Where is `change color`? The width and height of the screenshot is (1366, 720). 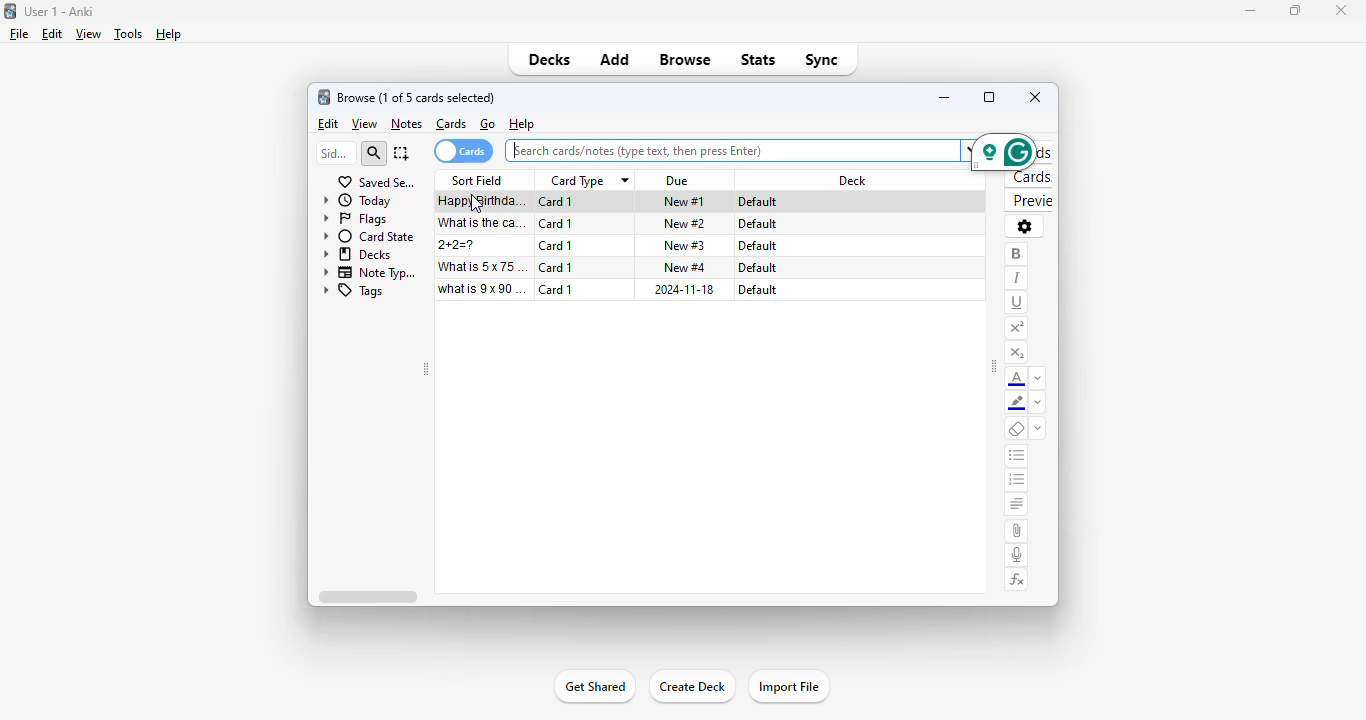
change color is located at coordinates (1037, 402).